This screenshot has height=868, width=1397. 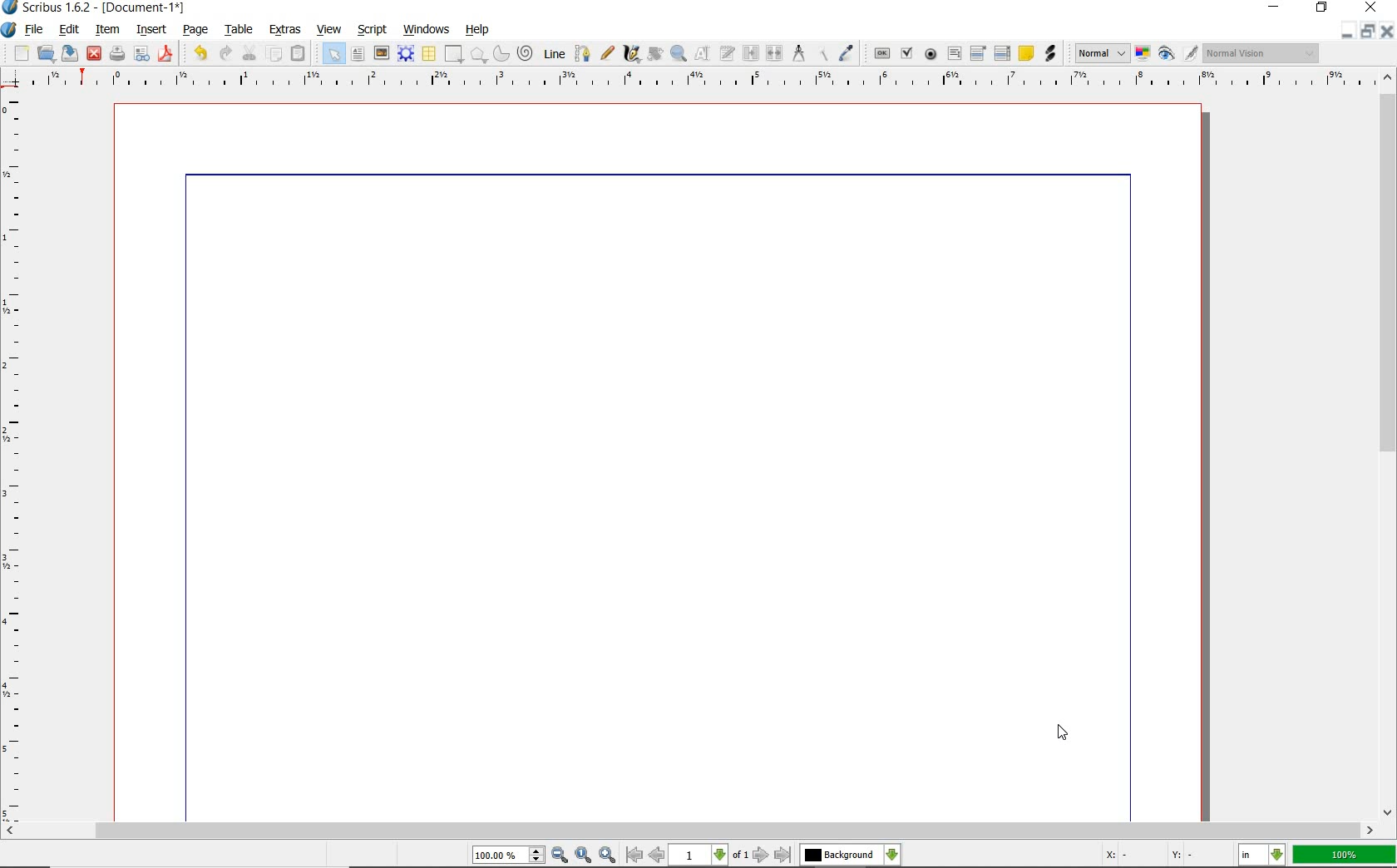 What do you see at coordinates (1179, 54) in the screenshot?
I see `preview mode` at bounding box center [1179, 54].